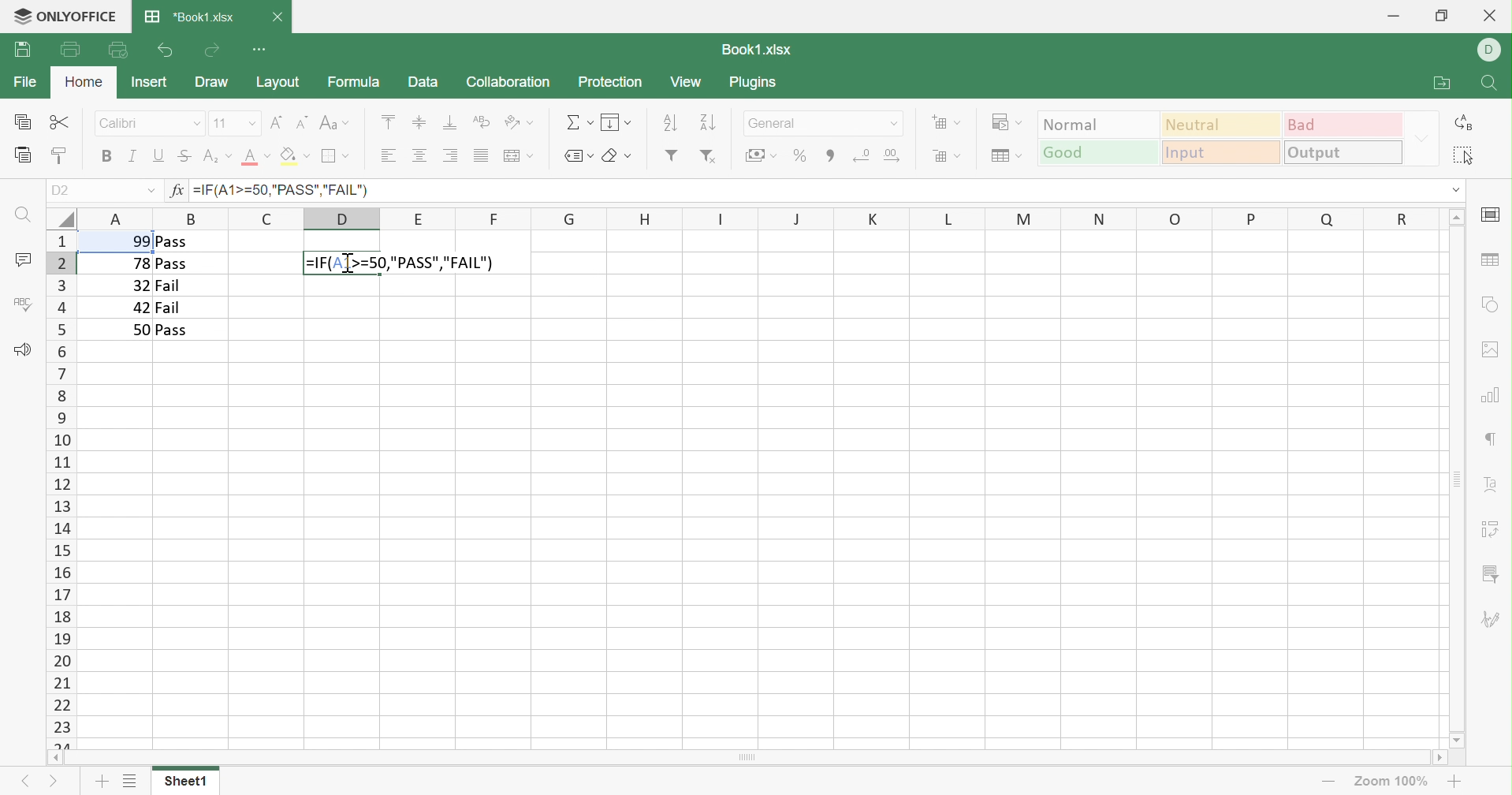 This screenshot has width=1512, height=795. I want to click on Fail, so click(170, 308).